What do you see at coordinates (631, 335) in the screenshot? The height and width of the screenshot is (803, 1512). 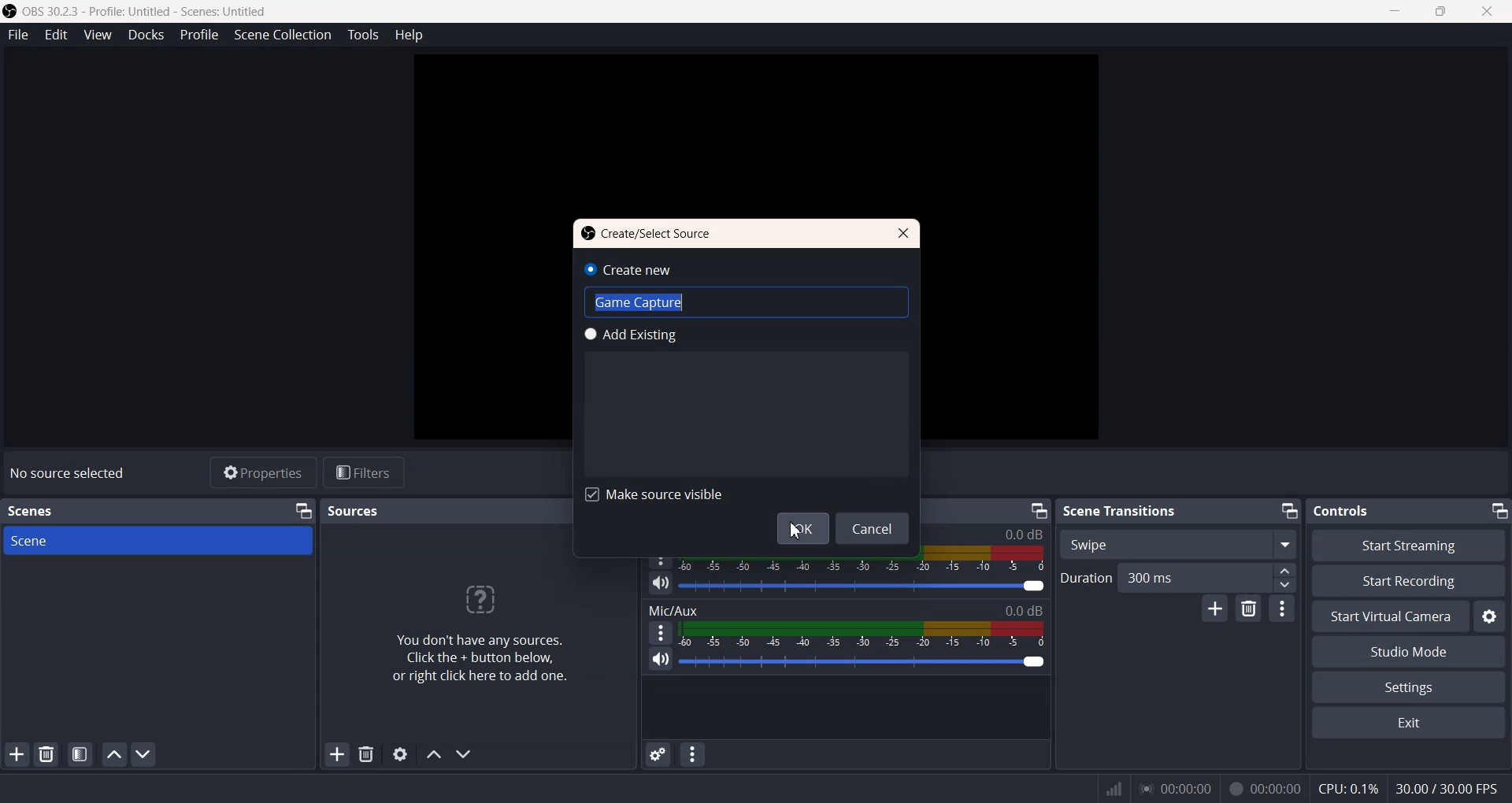 I see `Add Existing` at bounding box center [631, 335].